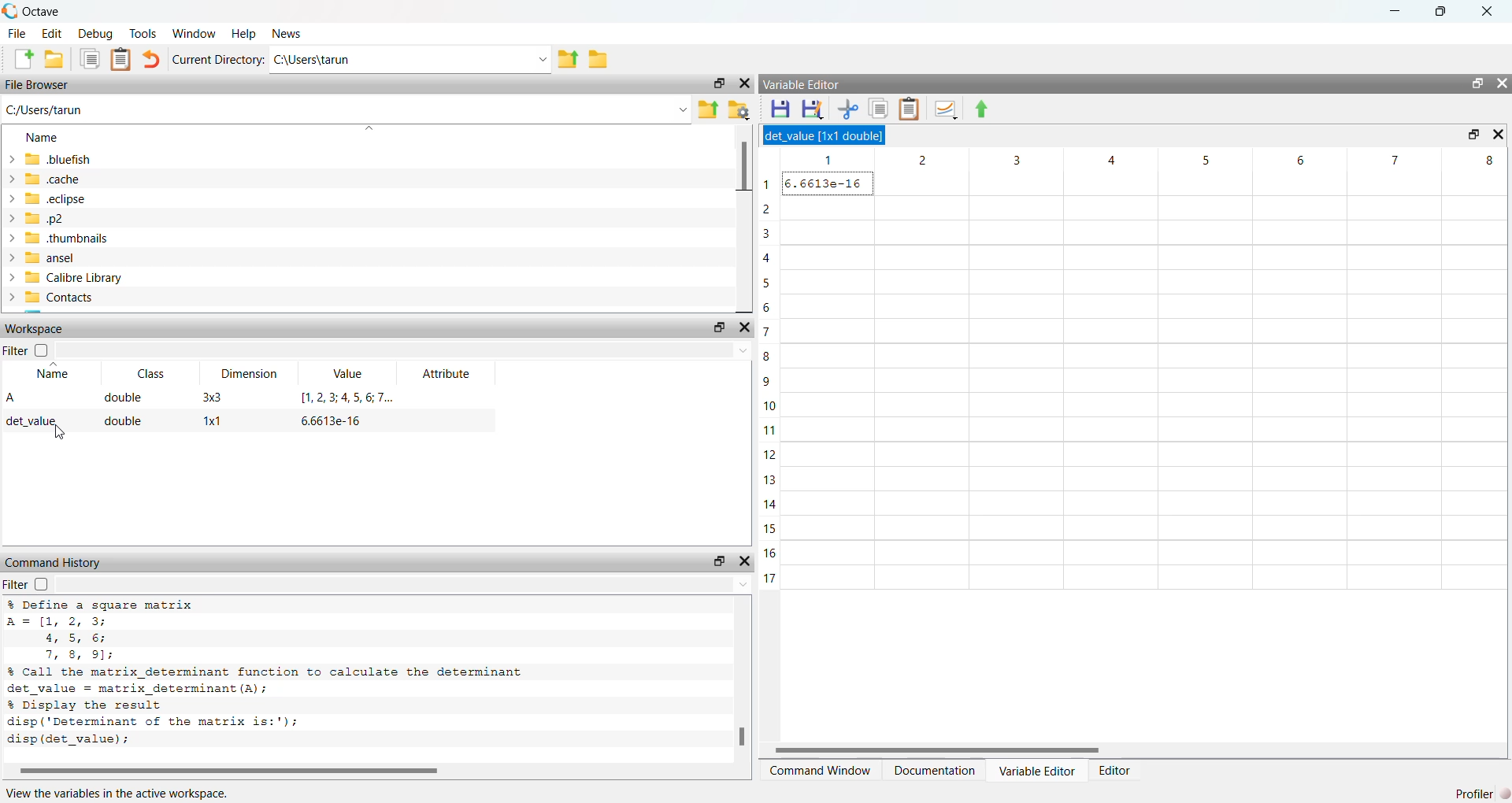  I want to click on  1,2,3,4,6,7..., so click(343, 398).